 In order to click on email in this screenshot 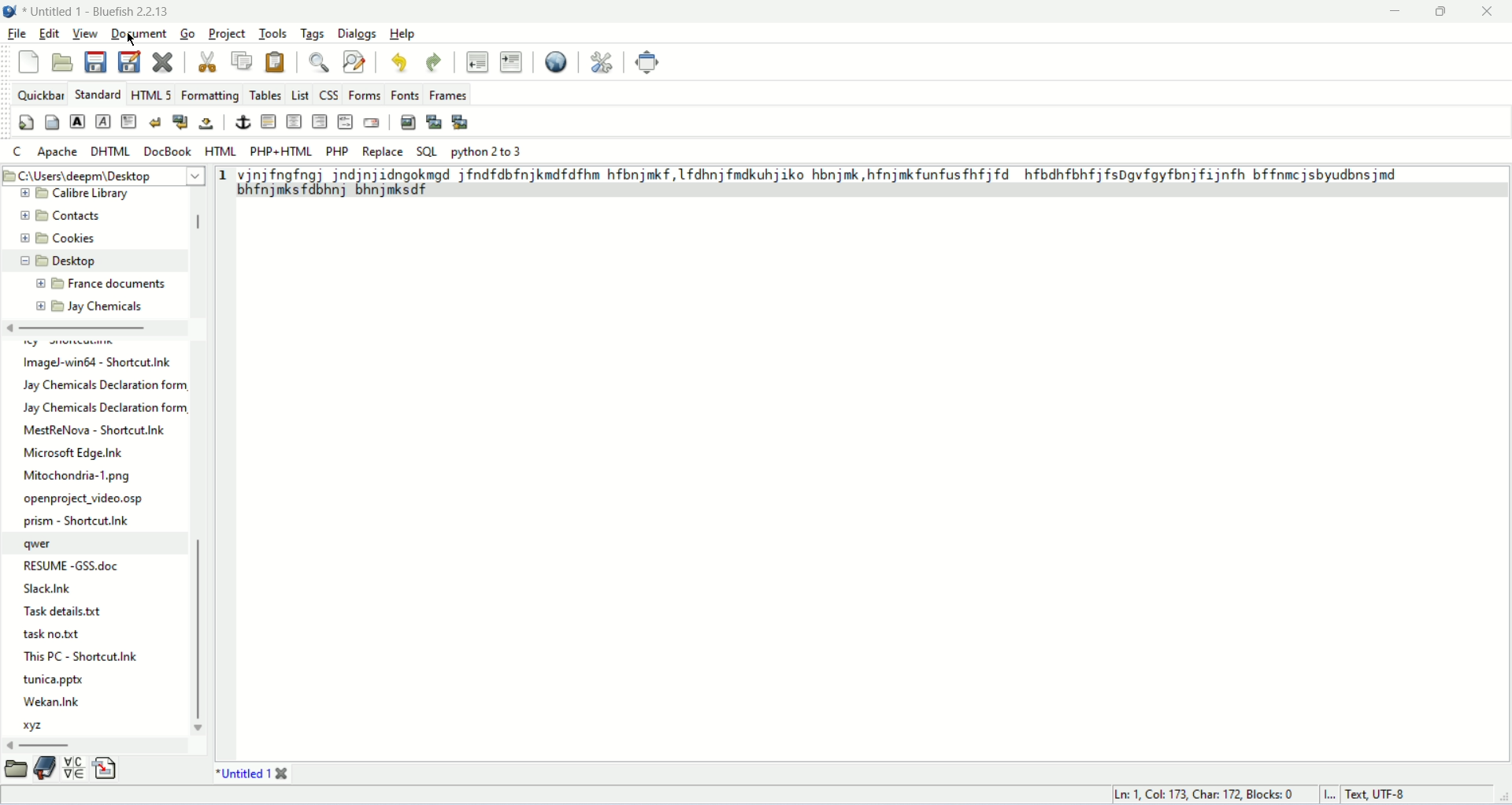, I will do `click(371, 122)`.